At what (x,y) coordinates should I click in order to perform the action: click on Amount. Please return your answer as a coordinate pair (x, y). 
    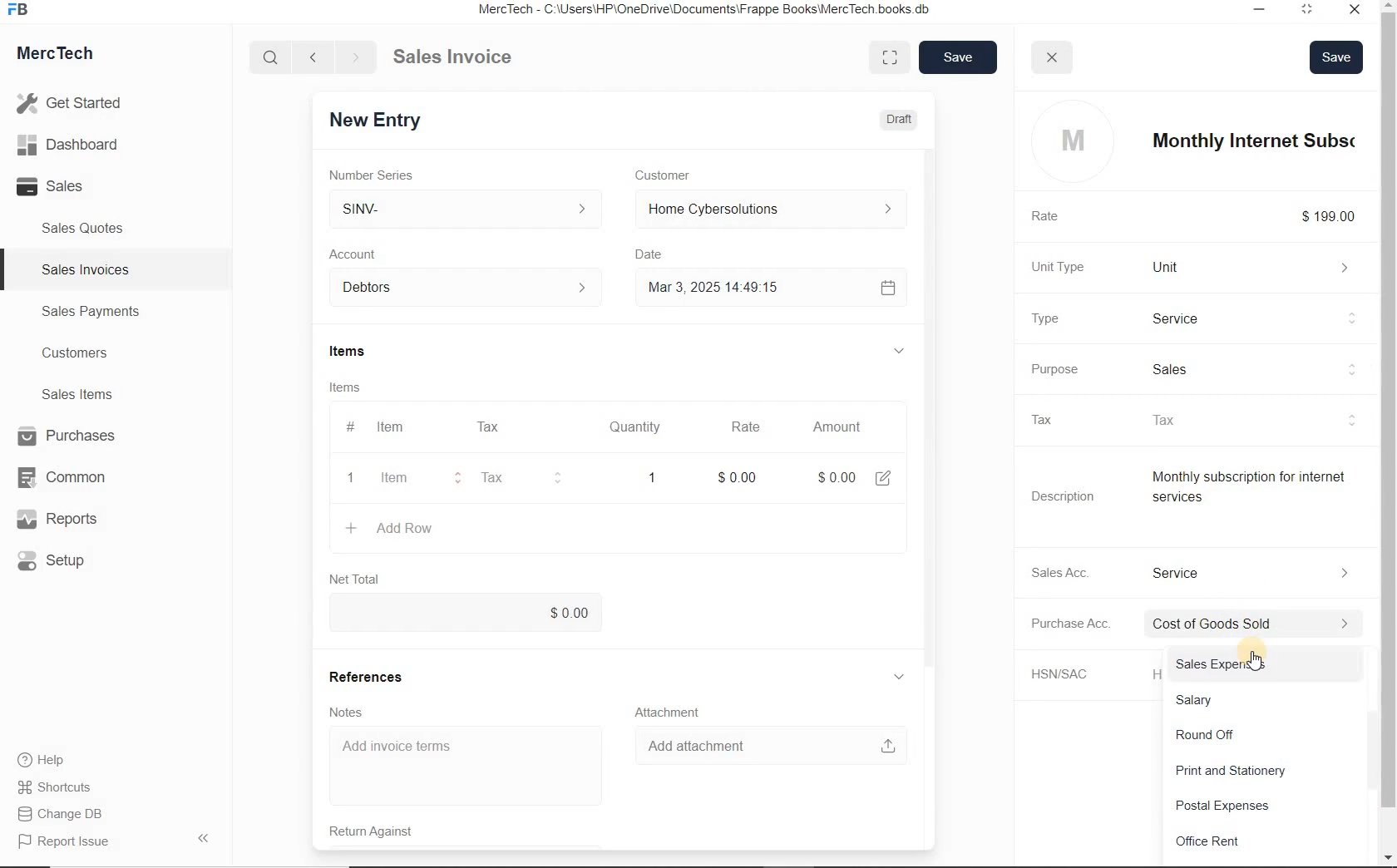
    Looking at the image, I should click on (842, 427).